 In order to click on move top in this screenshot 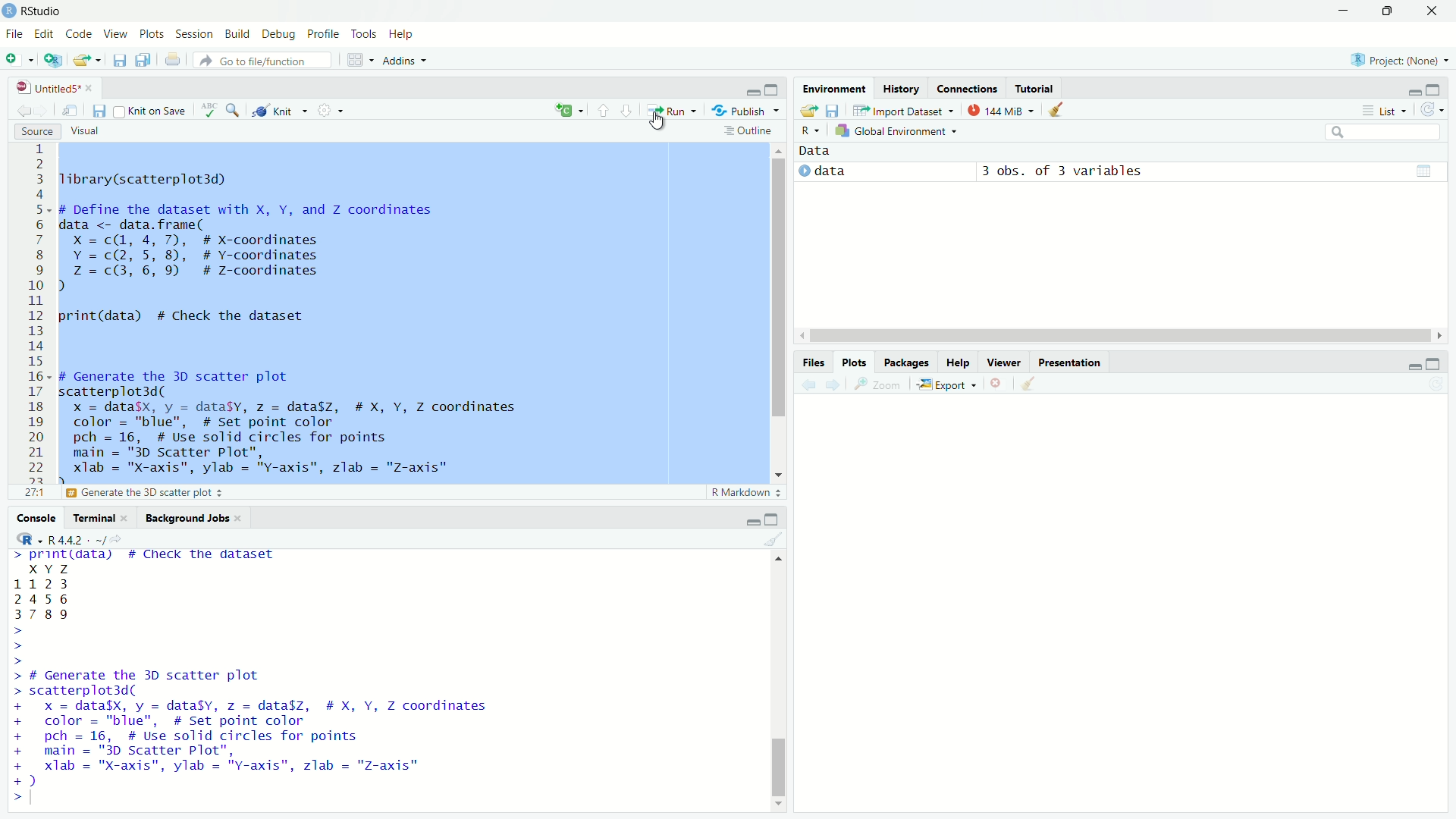, I will do `click(778, 557)`.